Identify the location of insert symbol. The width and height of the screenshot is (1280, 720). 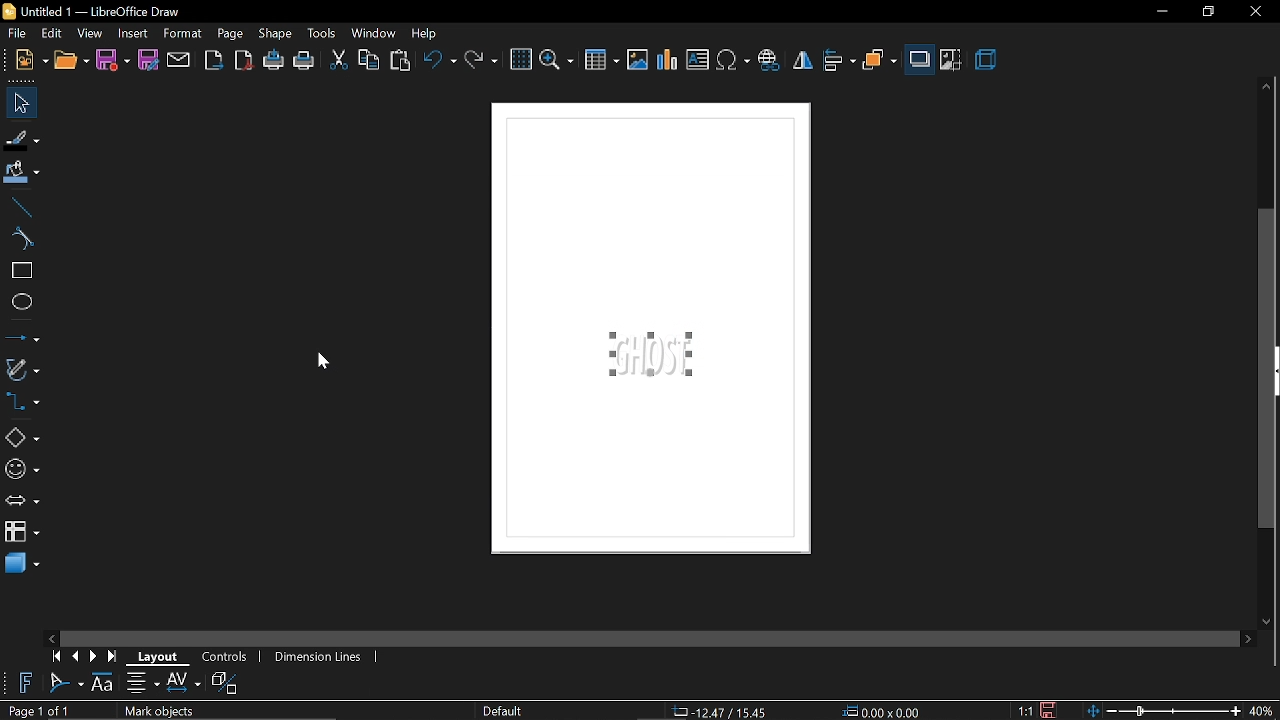
(734, 61).